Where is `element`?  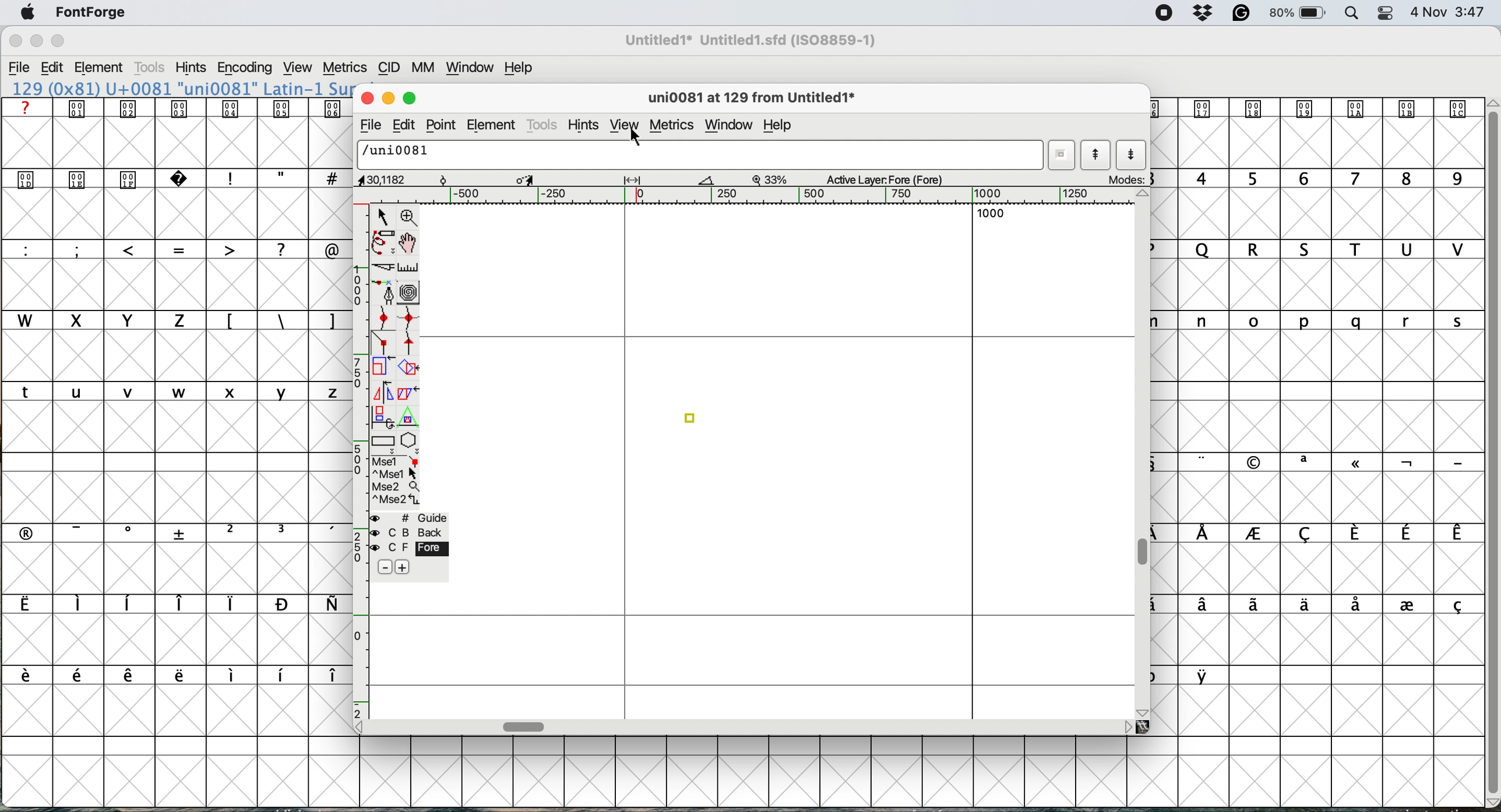
element is located at coordinates (494, 124).